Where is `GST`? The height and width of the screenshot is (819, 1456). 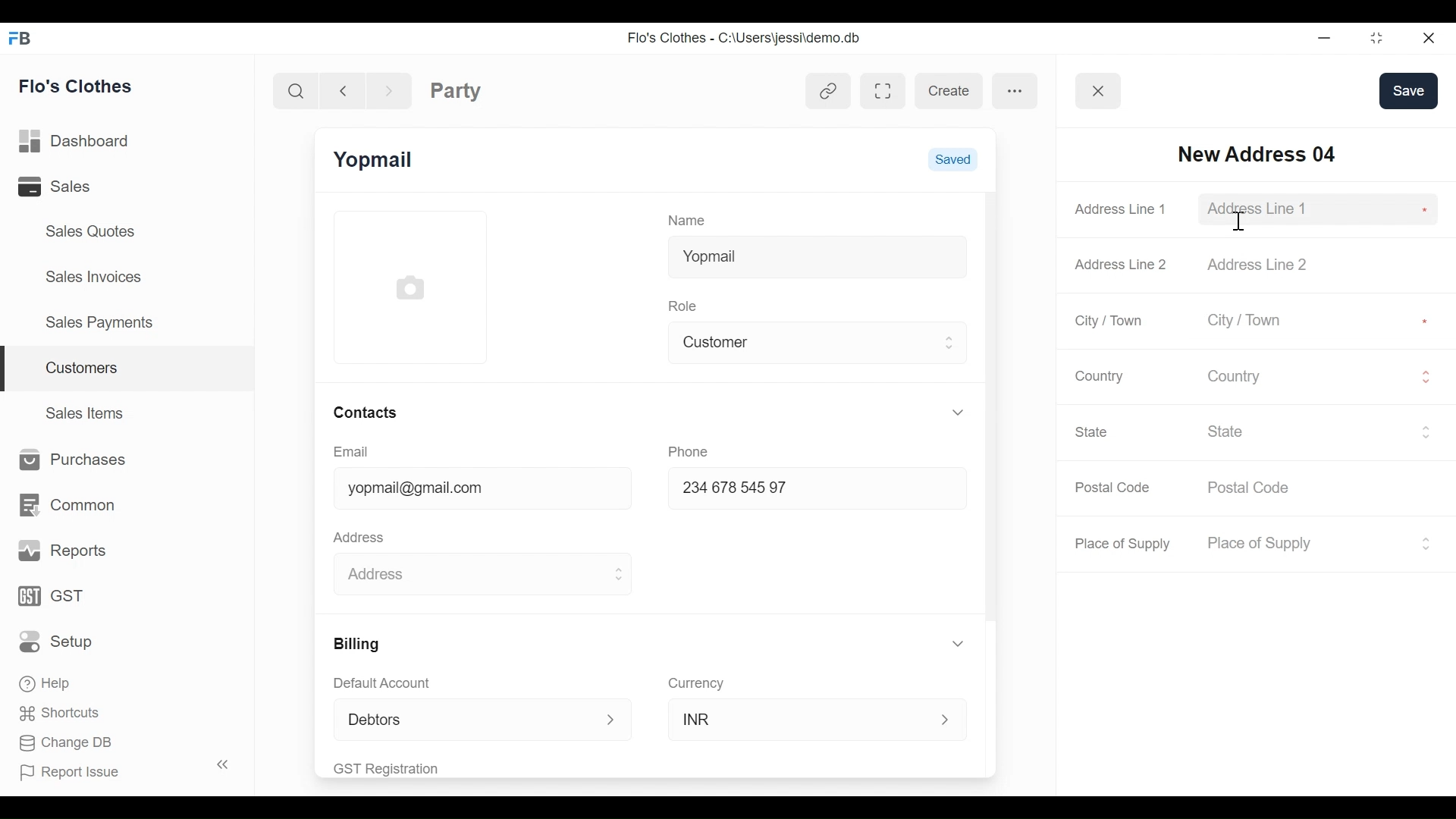 GST is located at coordinates (53, 598).